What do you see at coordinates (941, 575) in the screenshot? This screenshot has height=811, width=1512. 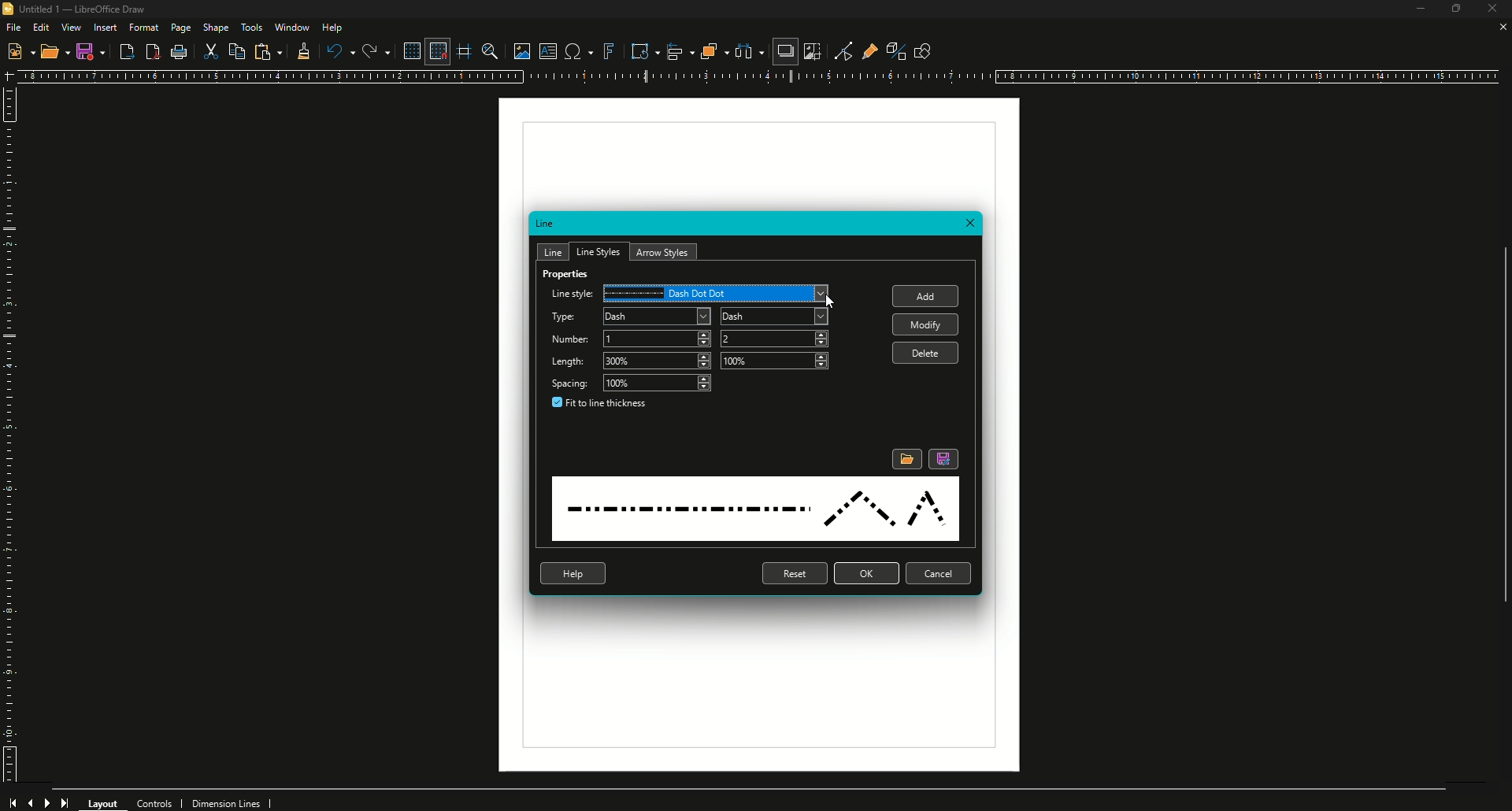 I see `Cancel` at bounding box center [941, 575].